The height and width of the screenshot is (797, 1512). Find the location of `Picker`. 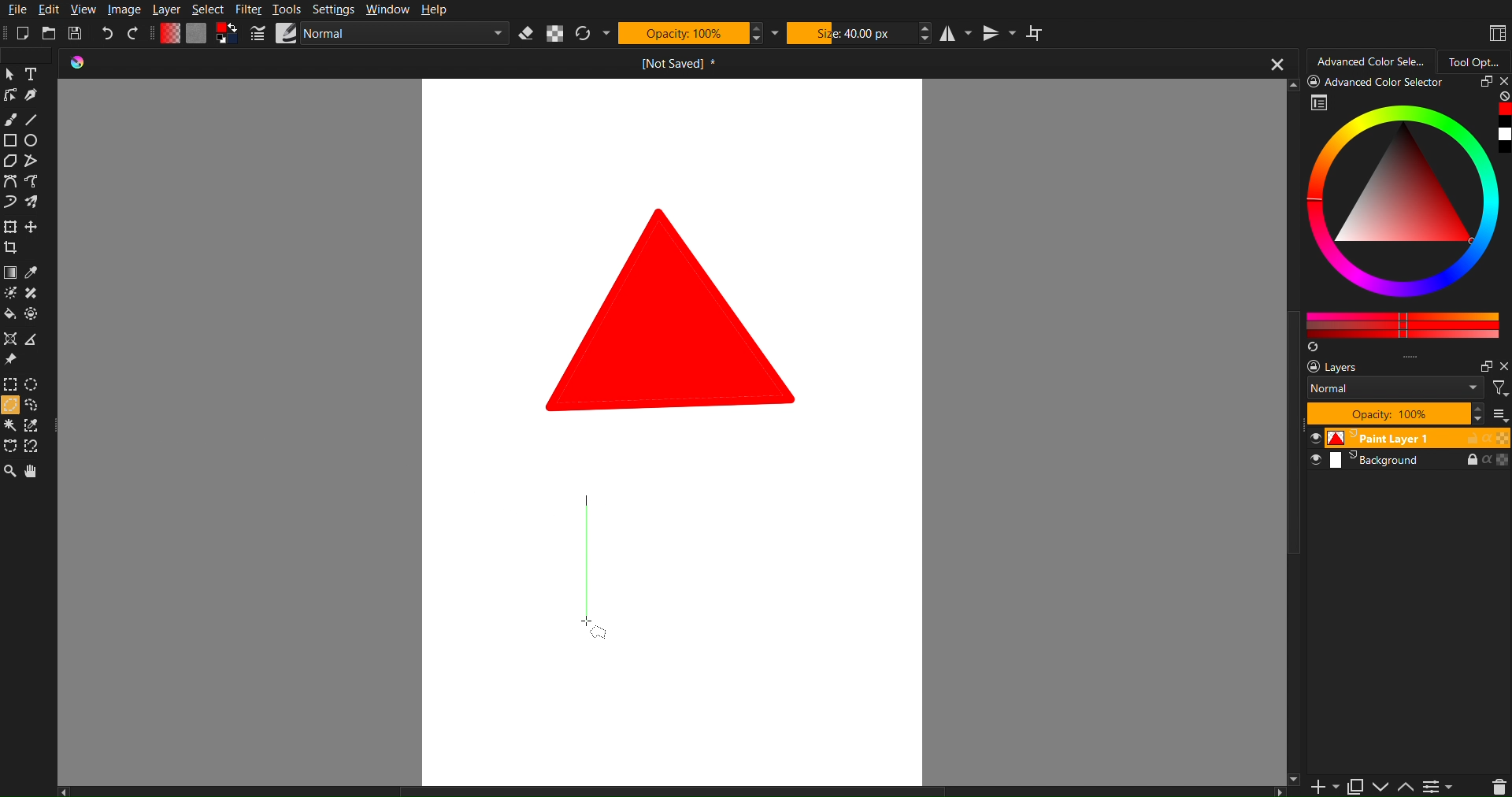

Picker is located at coordinates (9, 183).